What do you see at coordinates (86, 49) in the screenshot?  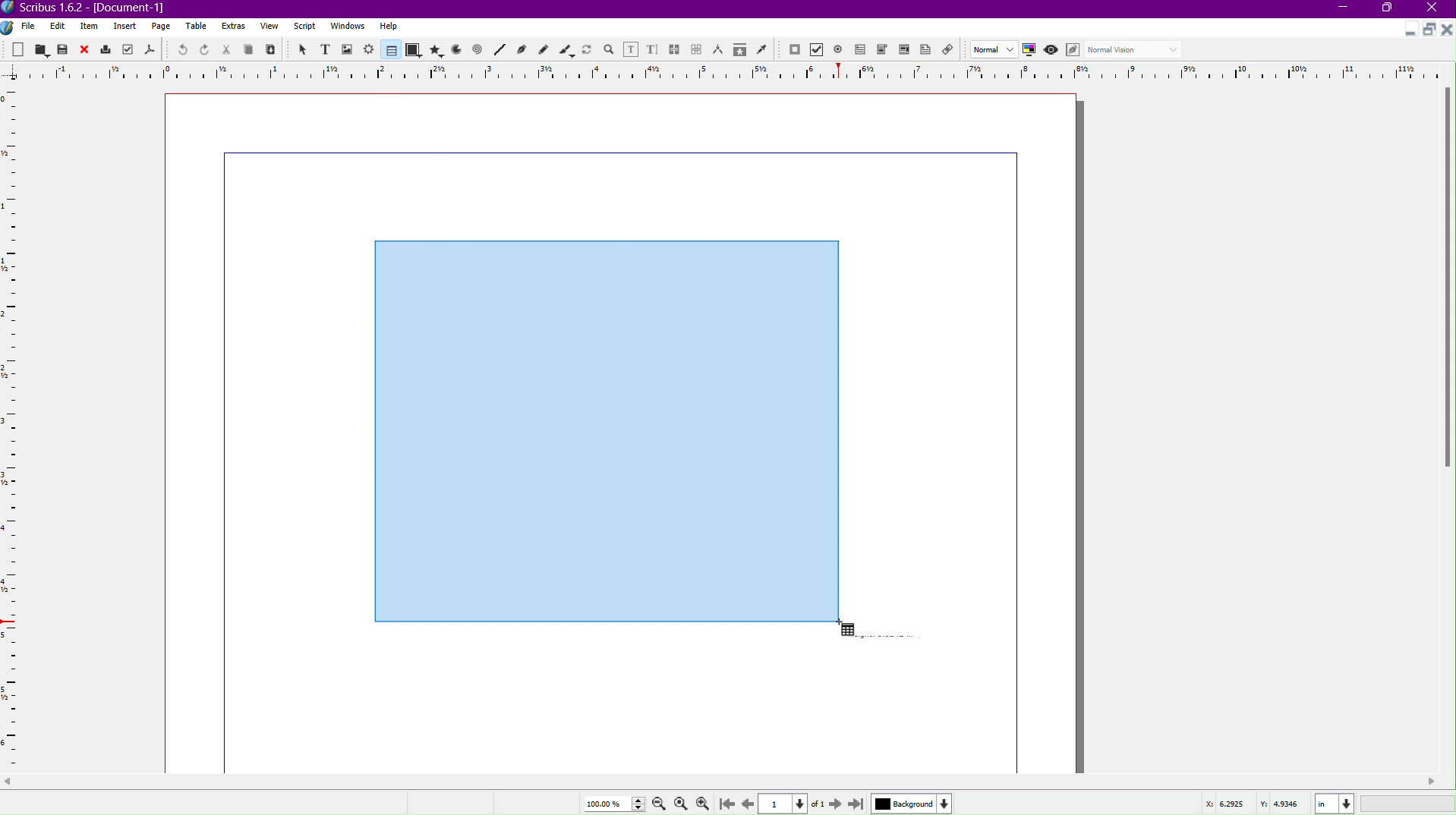 I see `Close` at bounding box center [86, 49].